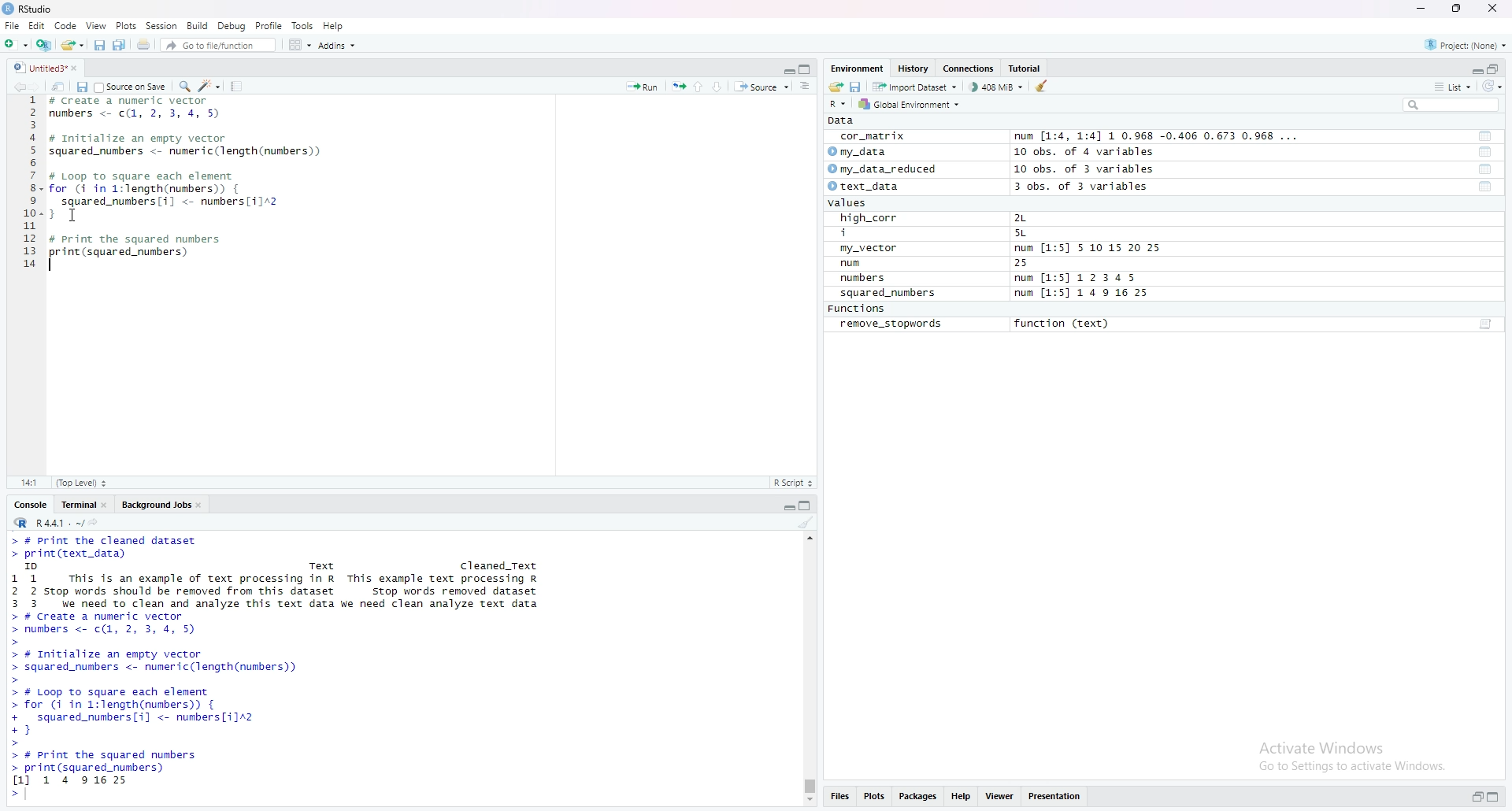 This screenshot has width=1512, height=811. What do you see at coordinates (28, 482) in the screenshot?
I see `14:1` at bounding box center [28, 482].